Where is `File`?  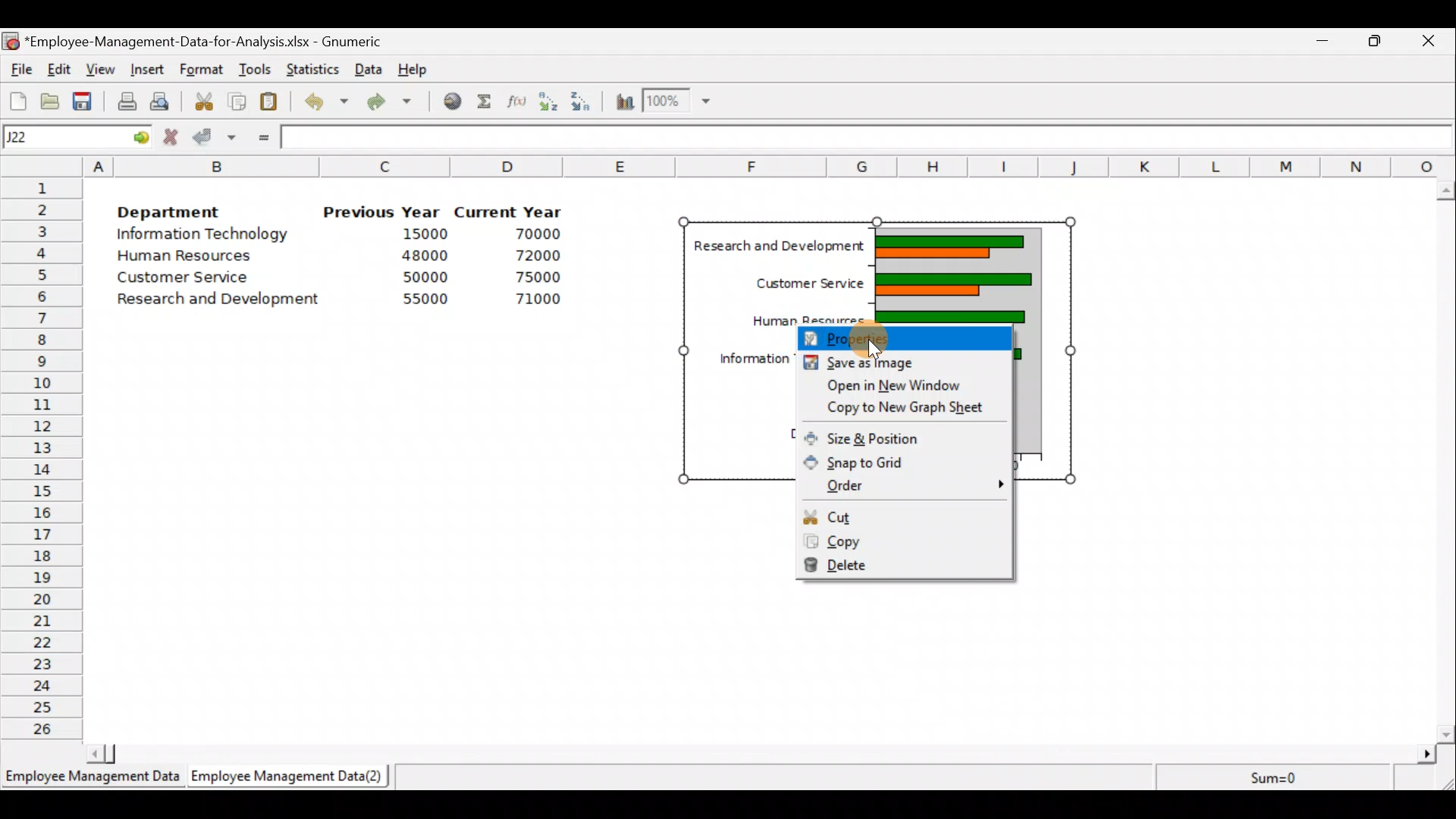 File is located at coordinates (19, 69).